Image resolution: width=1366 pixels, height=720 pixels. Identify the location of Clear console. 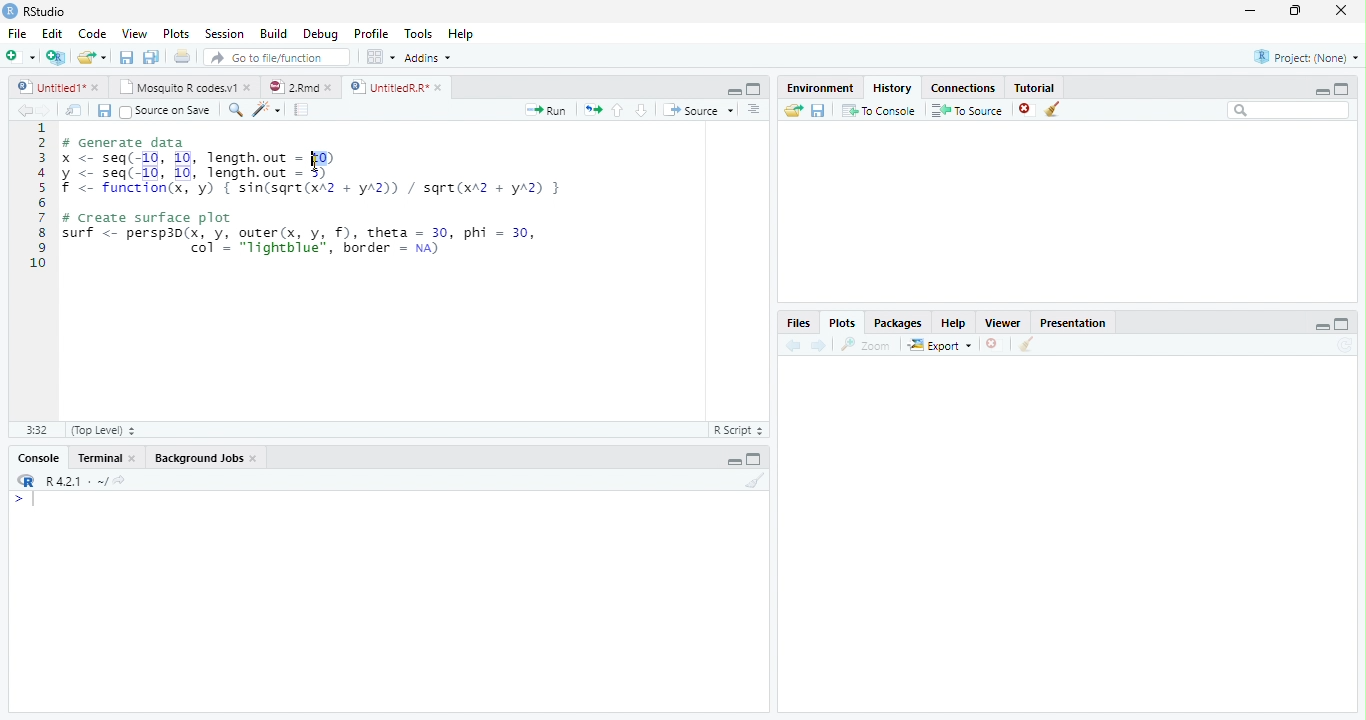
(756, 480).